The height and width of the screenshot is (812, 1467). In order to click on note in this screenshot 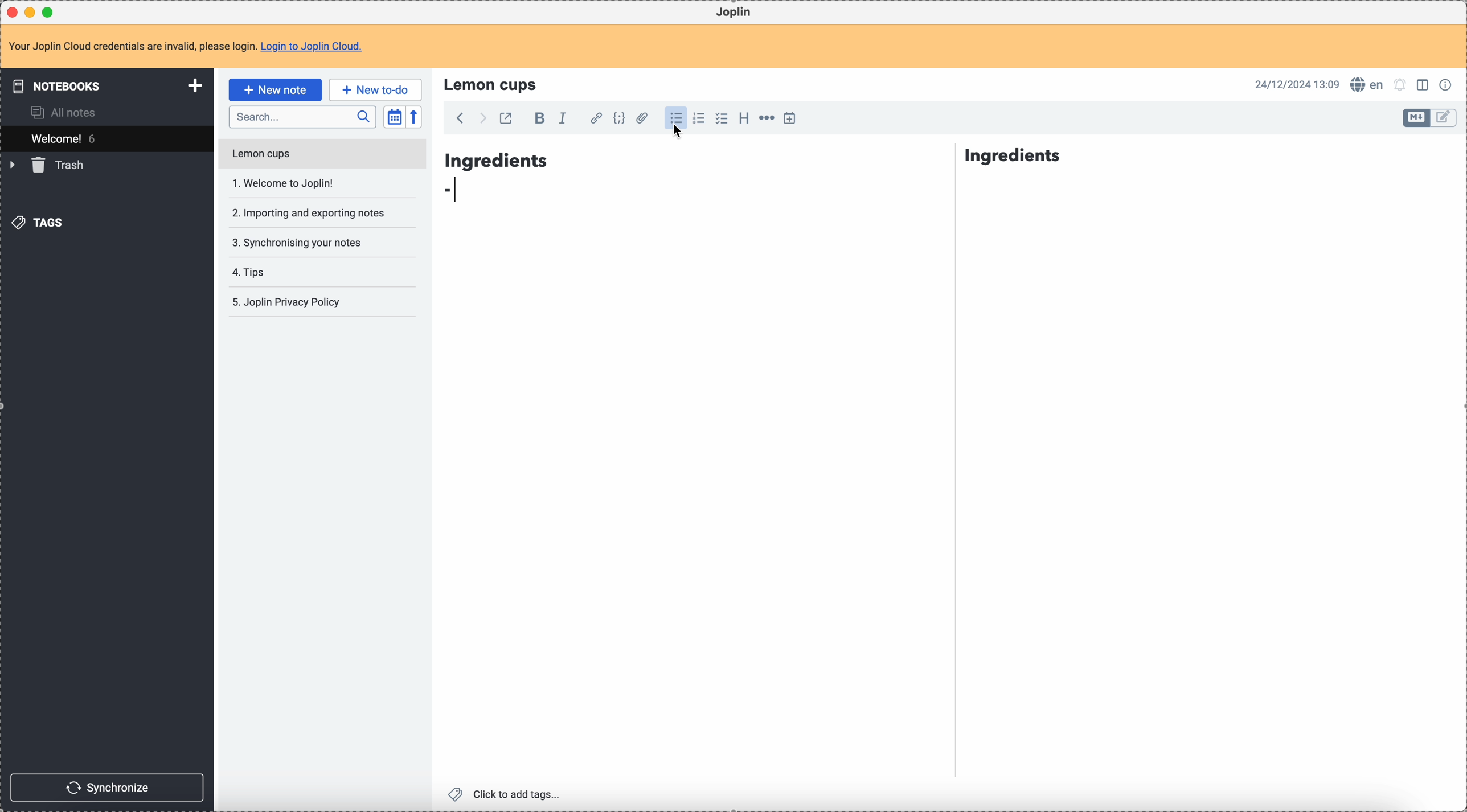, I will do `click(192, 47)`.